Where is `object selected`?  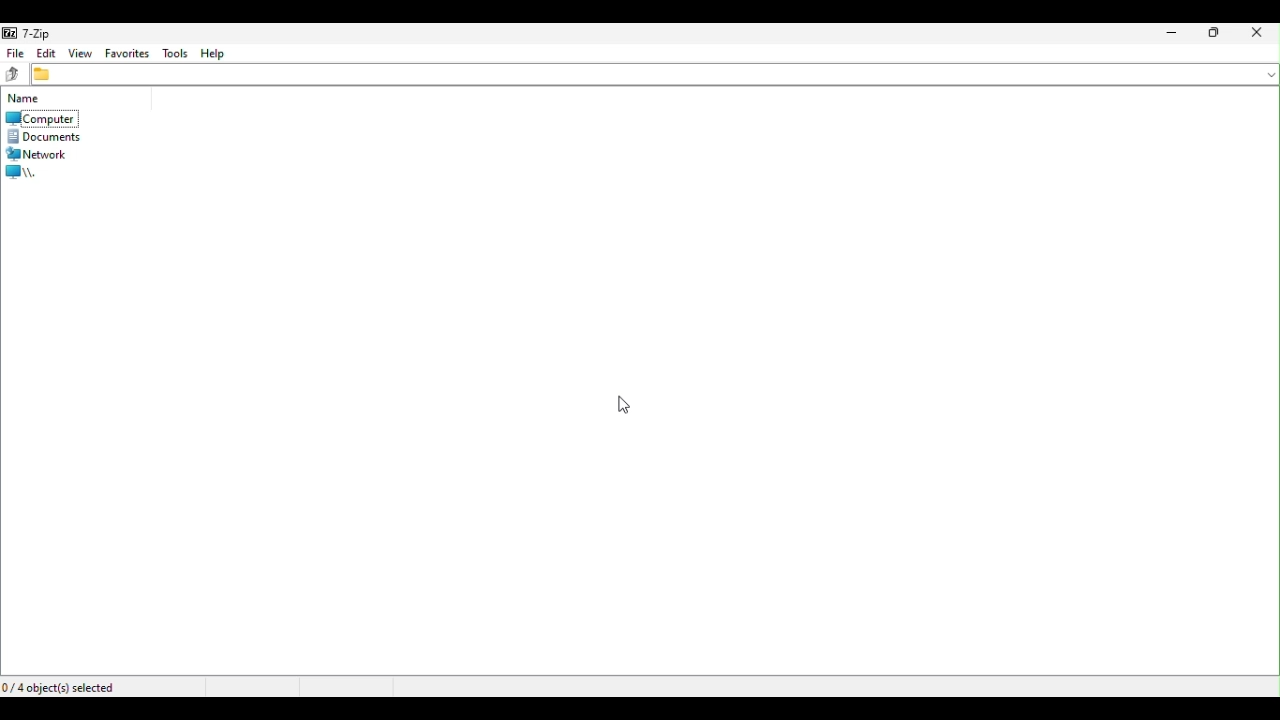
object selected is located at coordinates (82, 687).